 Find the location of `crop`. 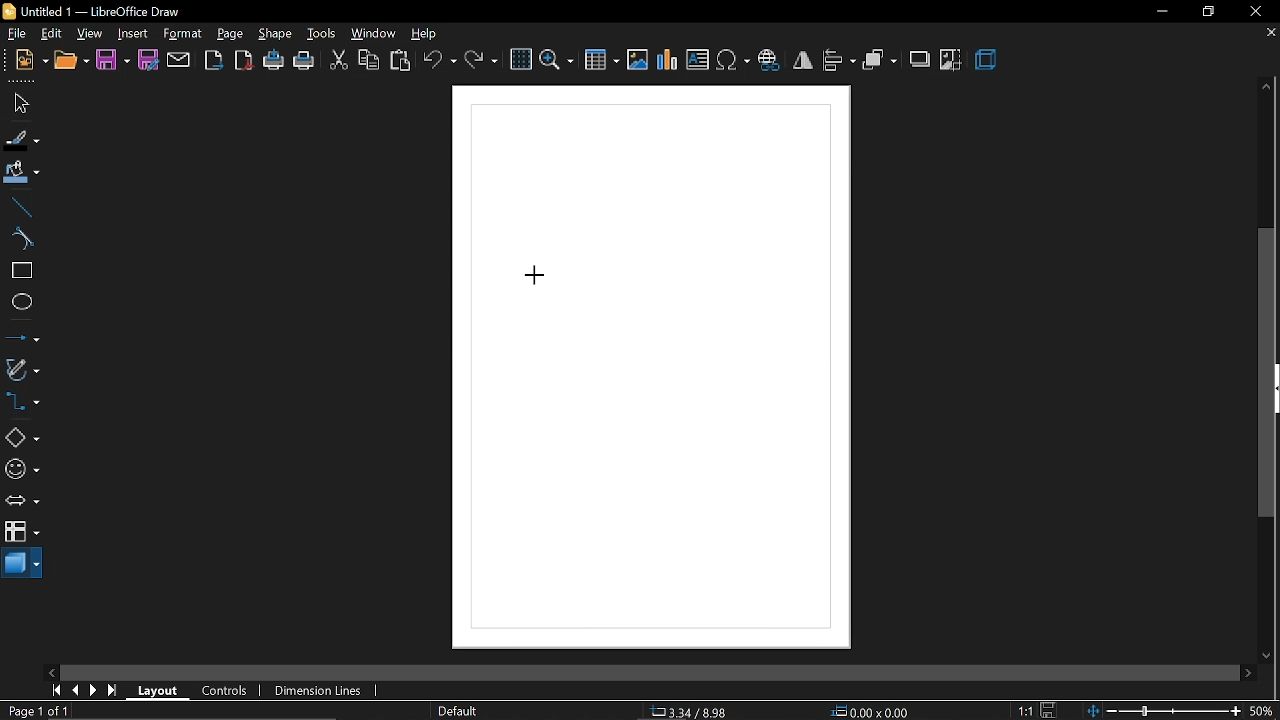

crop is located at coordinates (950, 59).